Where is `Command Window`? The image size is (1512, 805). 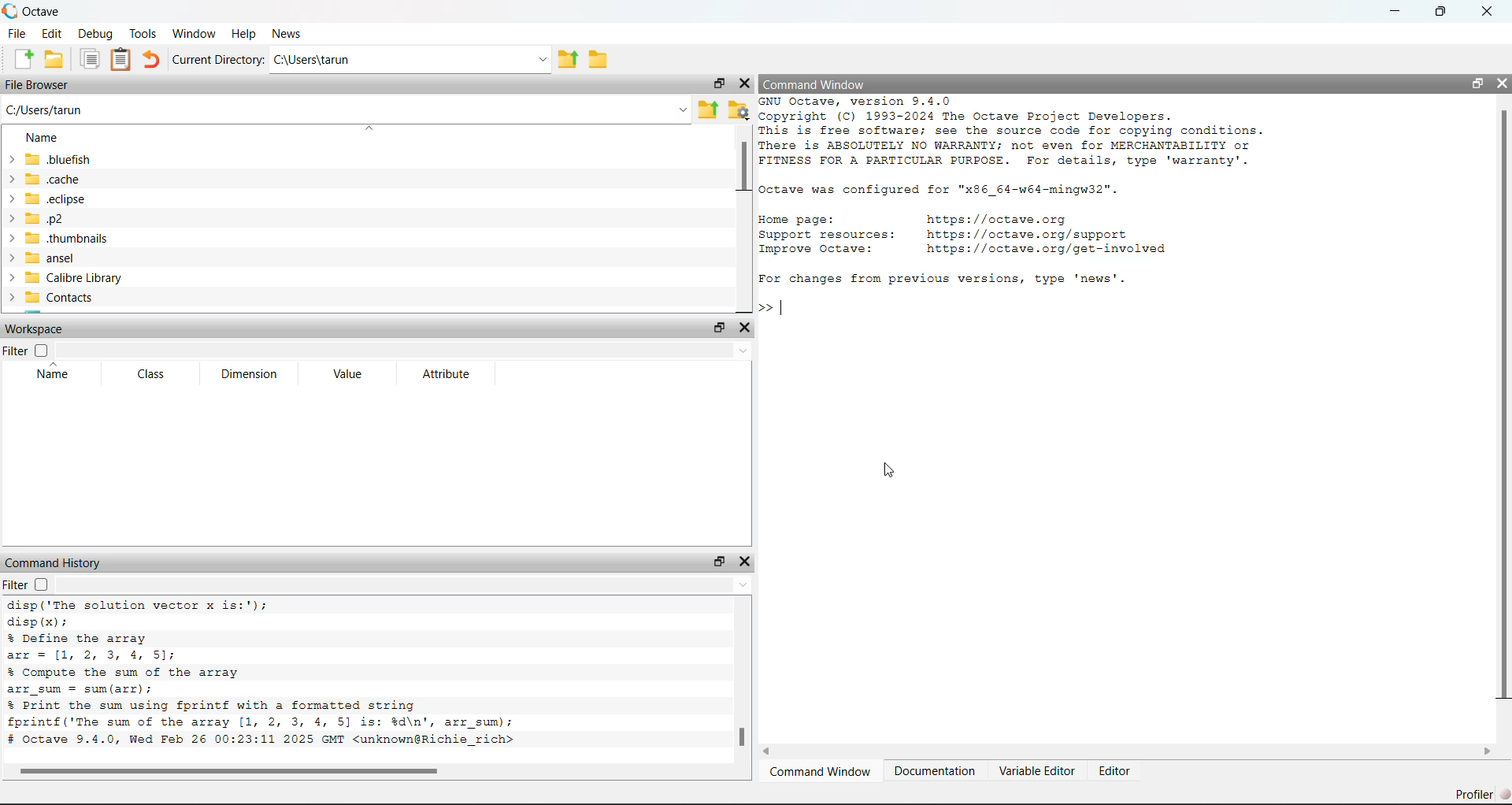
Command Window is located at coordinates (845, 83).